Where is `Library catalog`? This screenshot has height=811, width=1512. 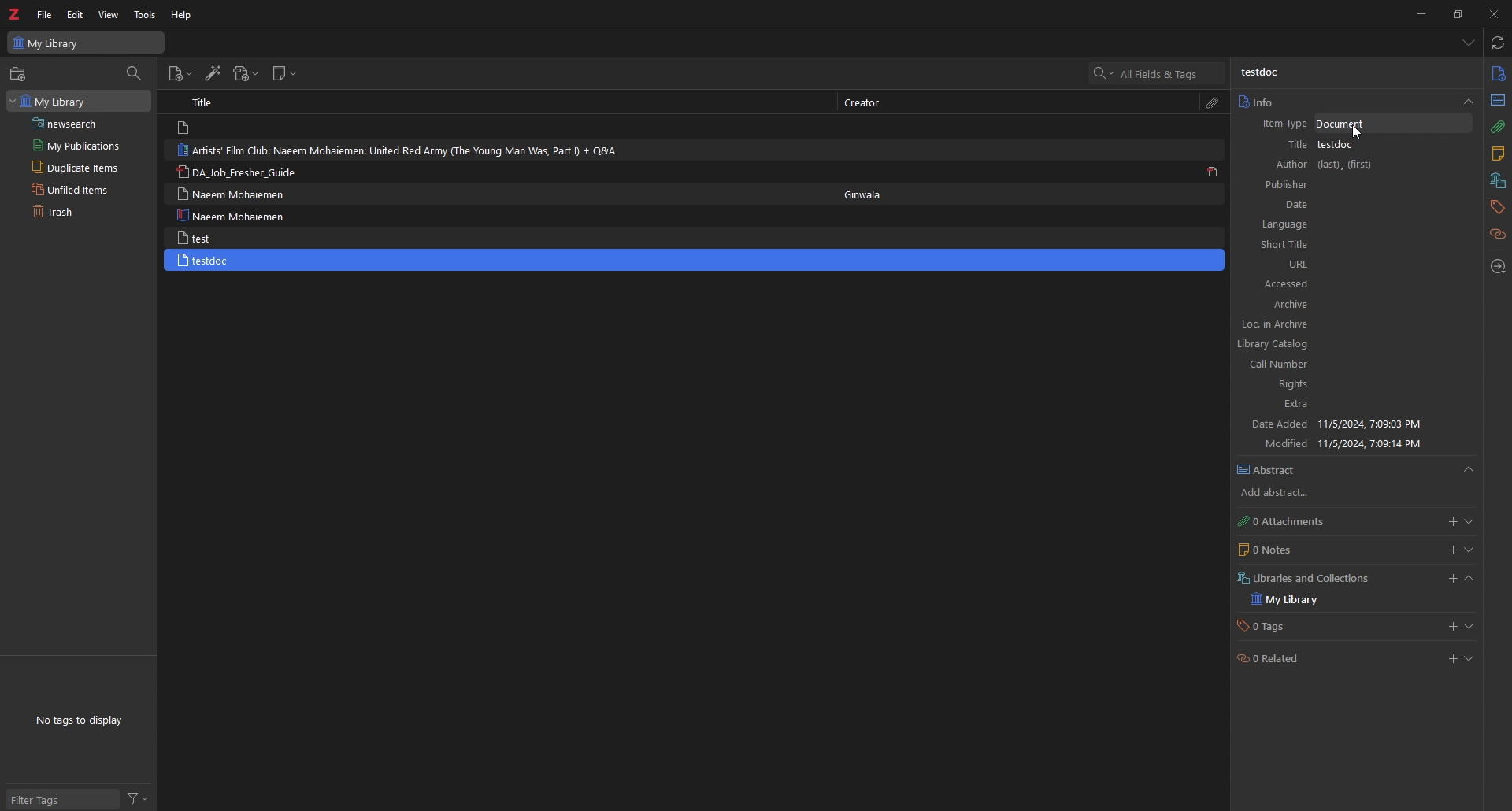 Library catalog is located at coordinates (1349, 345).